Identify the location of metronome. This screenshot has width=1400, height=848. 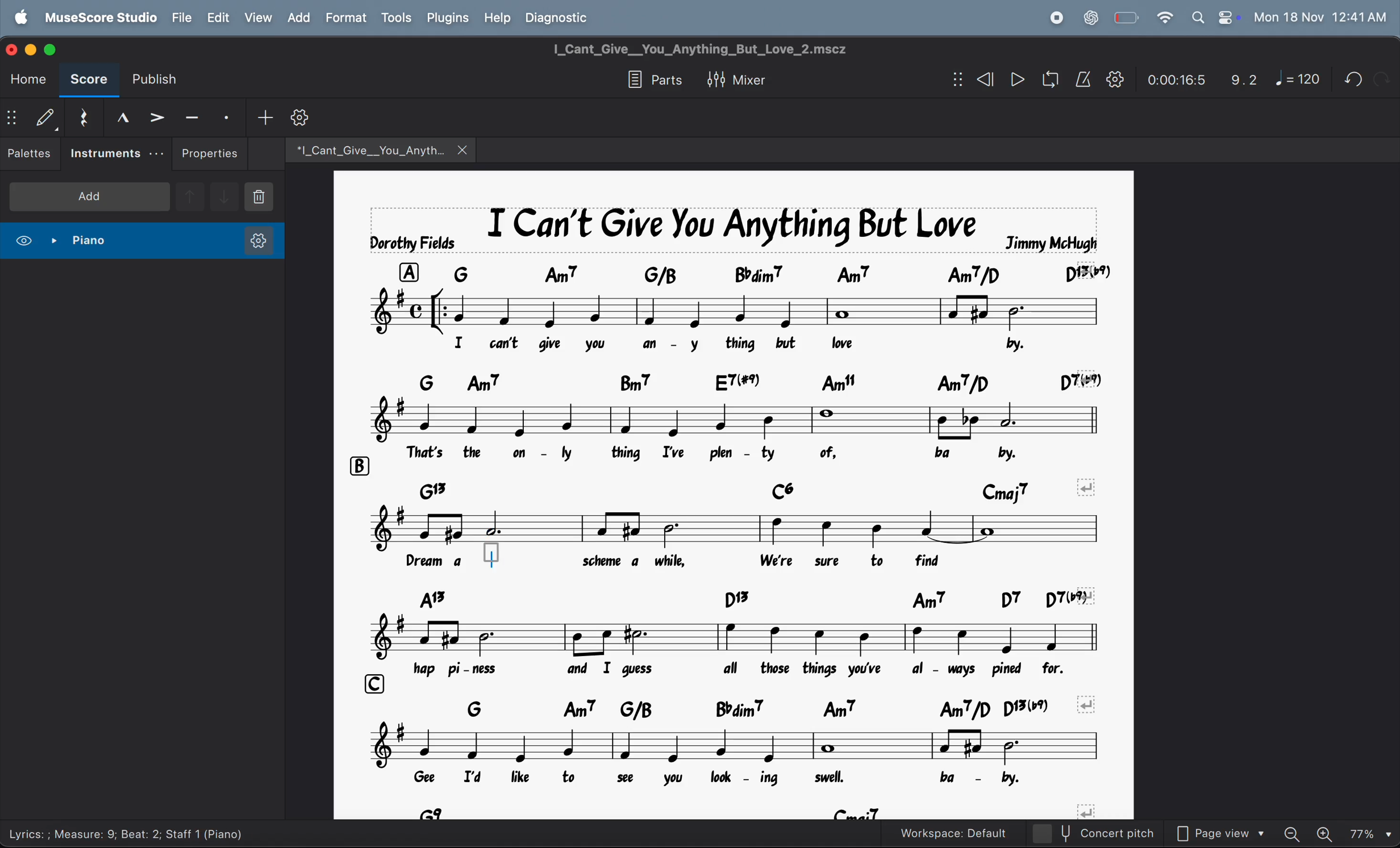
(1083, 79).